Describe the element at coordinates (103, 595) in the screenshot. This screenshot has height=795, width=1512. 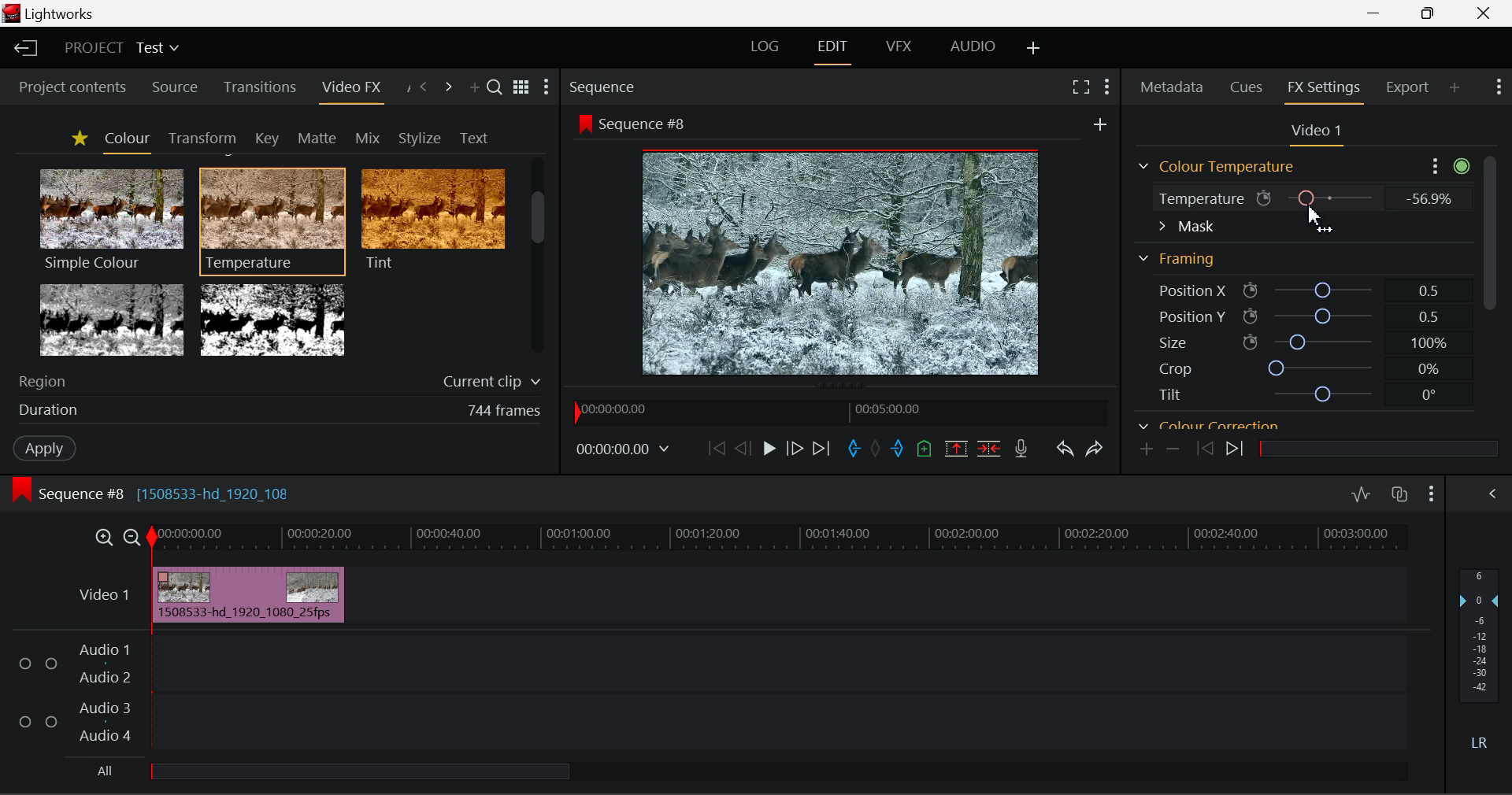
I see `Video 1` at that location.